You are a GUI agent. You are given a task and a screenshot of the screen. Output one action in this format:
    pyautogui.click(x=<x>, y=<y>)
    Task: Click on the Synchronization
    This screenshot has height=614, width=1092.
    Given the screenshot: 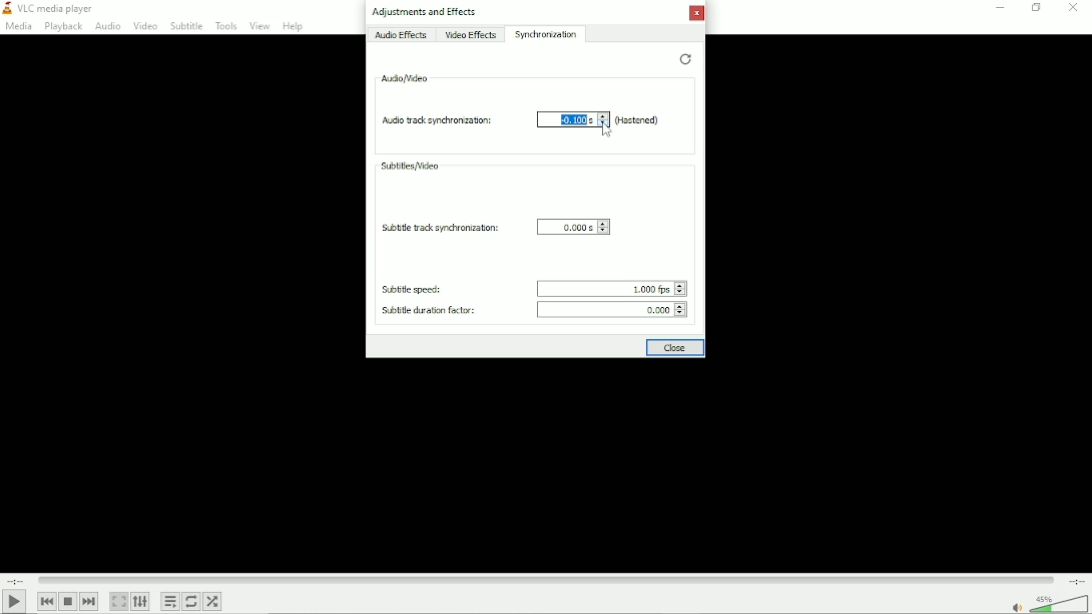 What is the action you would take?
    pyautogui.click(x=547, y=34)
    